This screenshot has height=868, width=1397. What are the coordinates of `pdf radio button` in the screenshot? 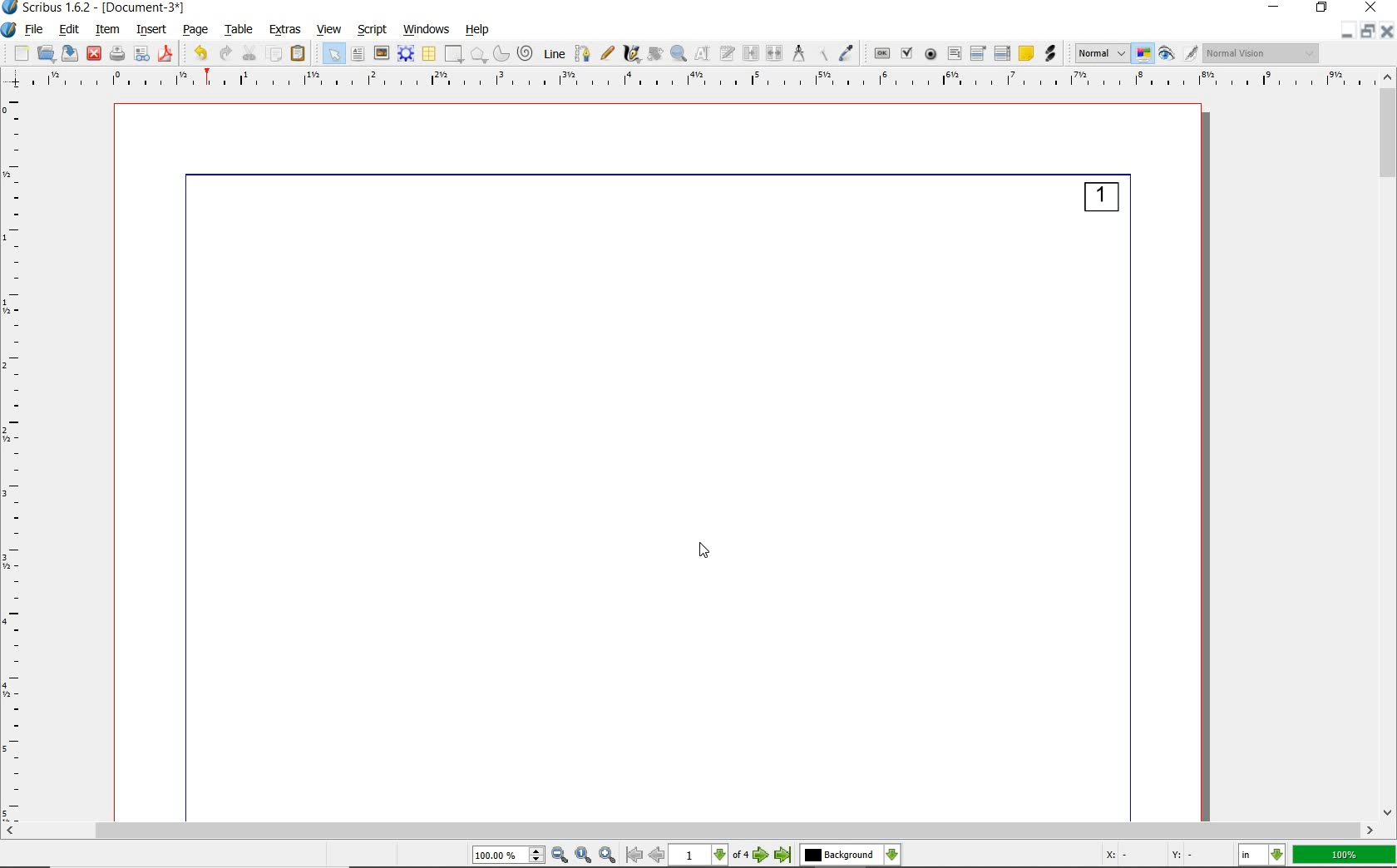 It's located at (931, 54).